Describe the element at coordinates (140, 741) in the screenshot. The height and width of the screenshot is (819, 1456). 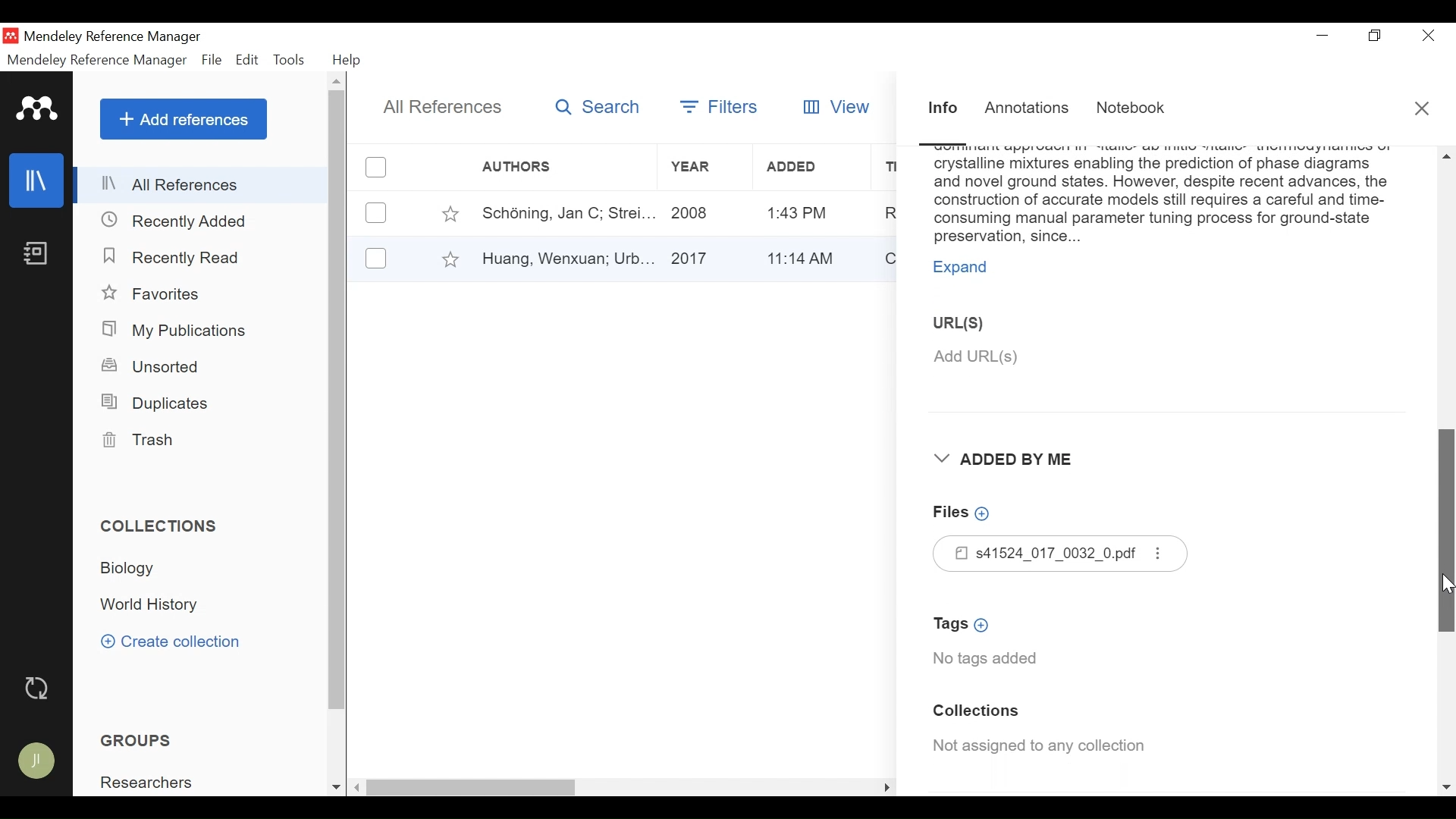
I see `Groups` at that location.